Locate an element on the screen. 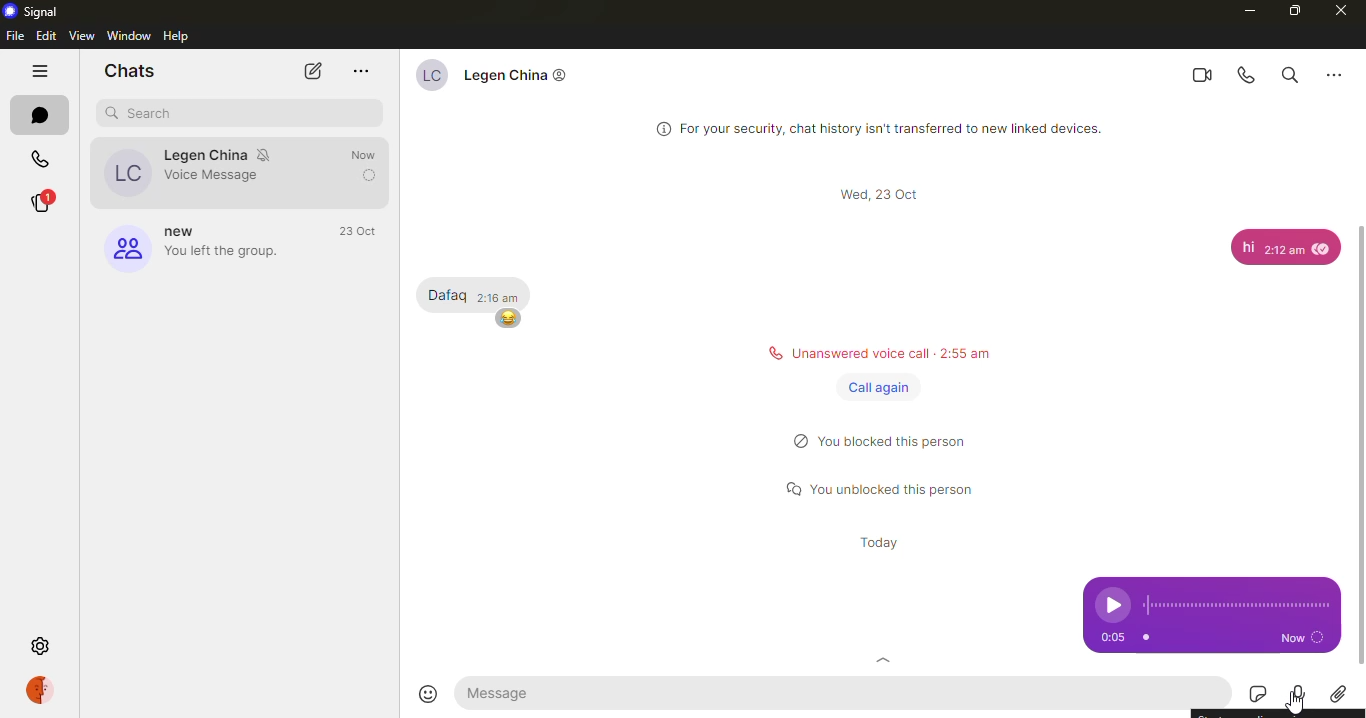 Image resolution: width=1366 pixels, height=718 pixels. message is located at coordinates (503, 693).